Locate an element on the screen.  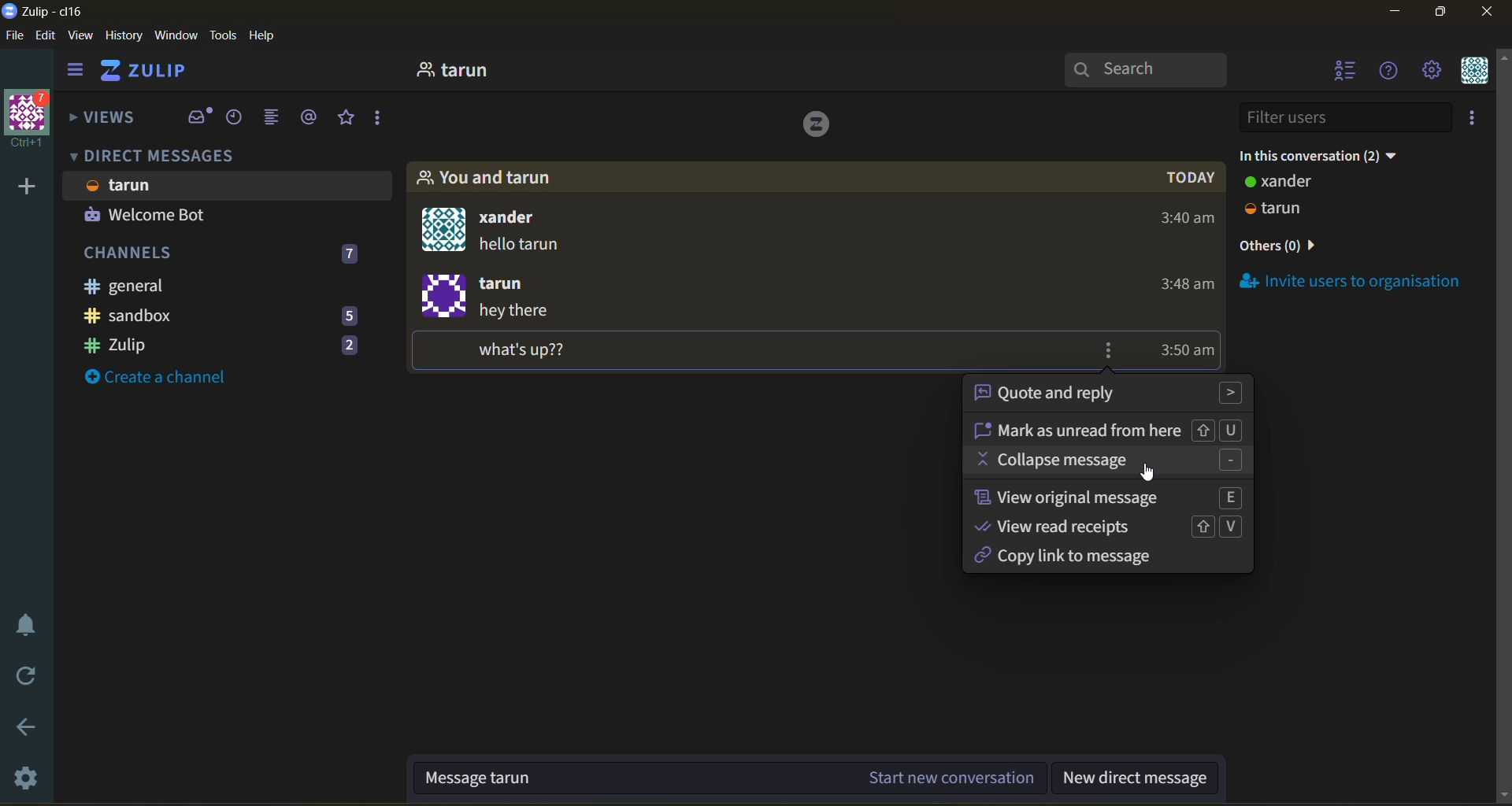
quote and reply is located at coordinates (1110, 394).